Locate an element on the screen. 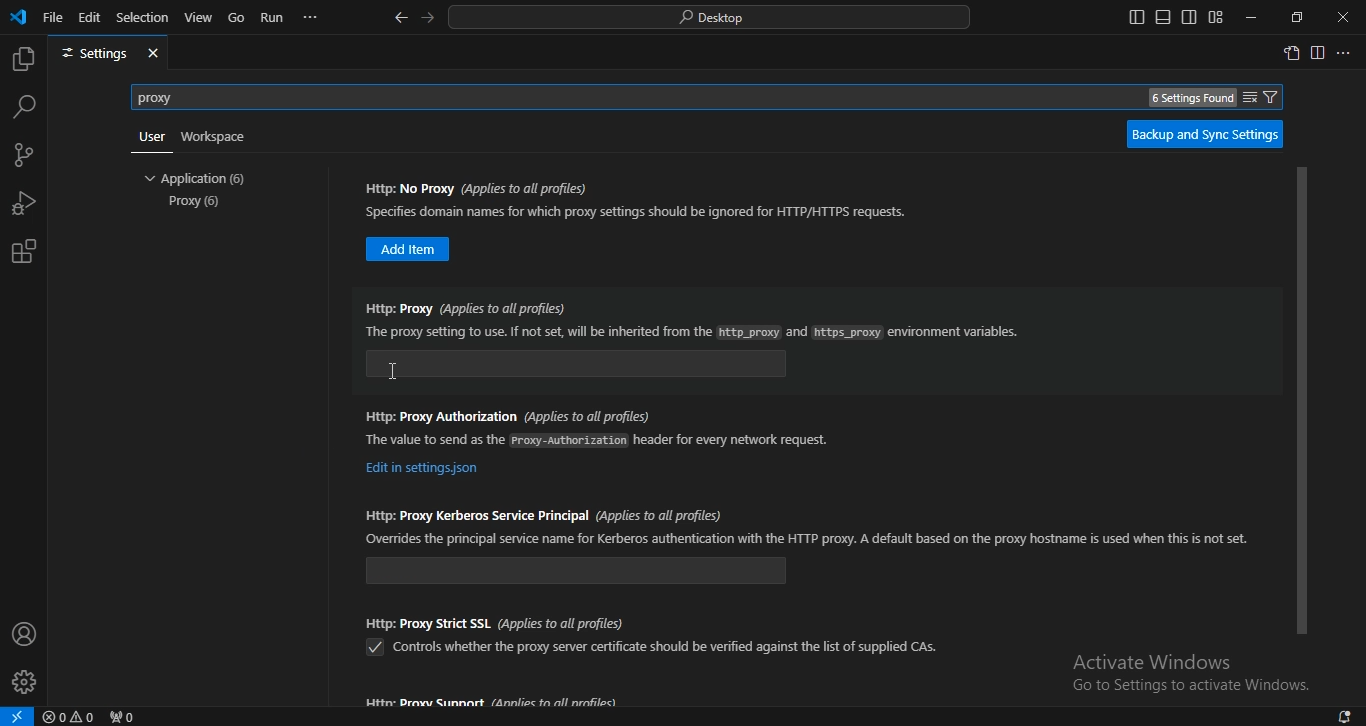 Image resolution: width=1366 pixels, height=726 pixels. Cursor is located at coordinates (392, 370).